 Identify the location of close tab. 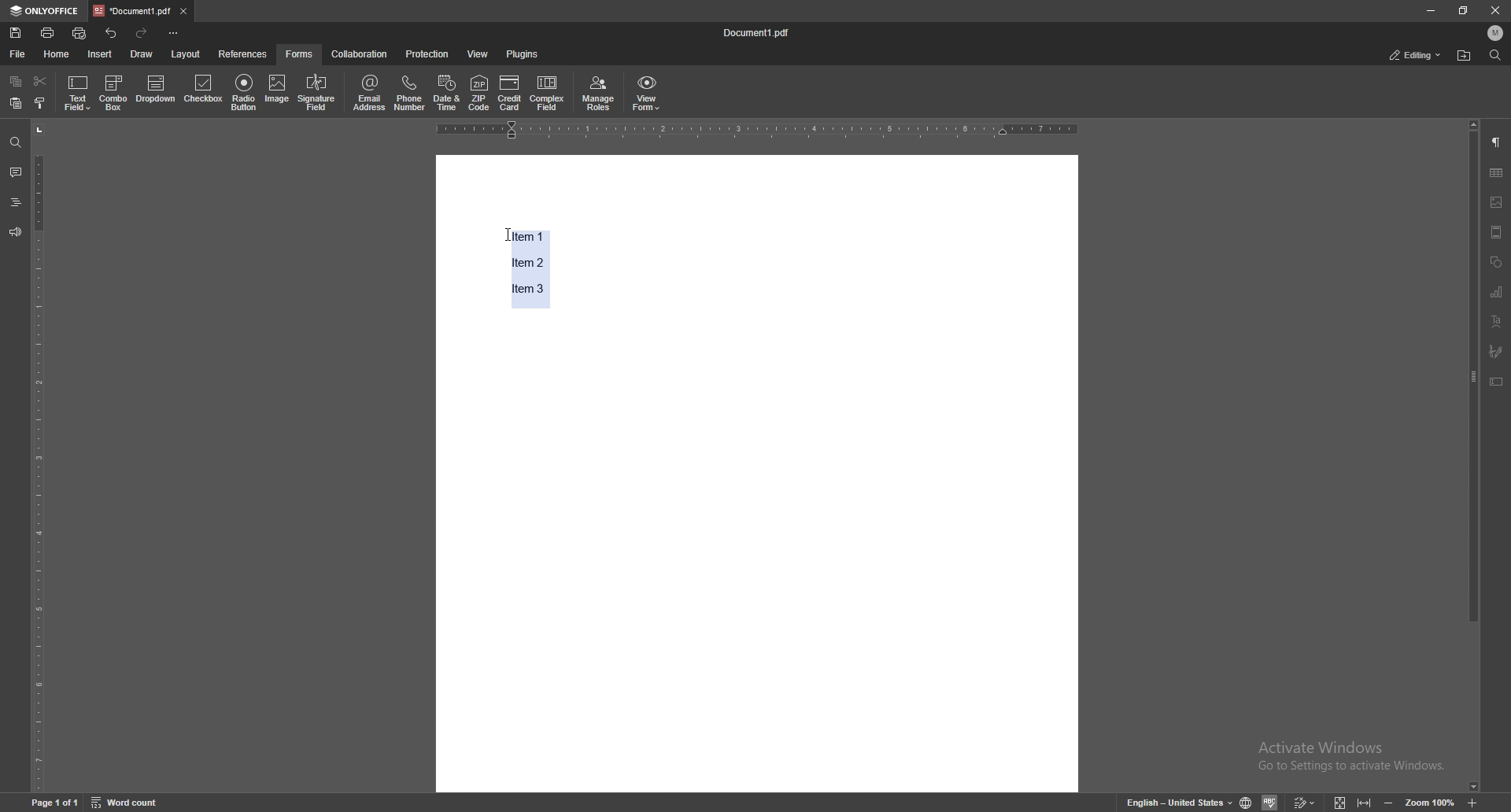
(183, 12).